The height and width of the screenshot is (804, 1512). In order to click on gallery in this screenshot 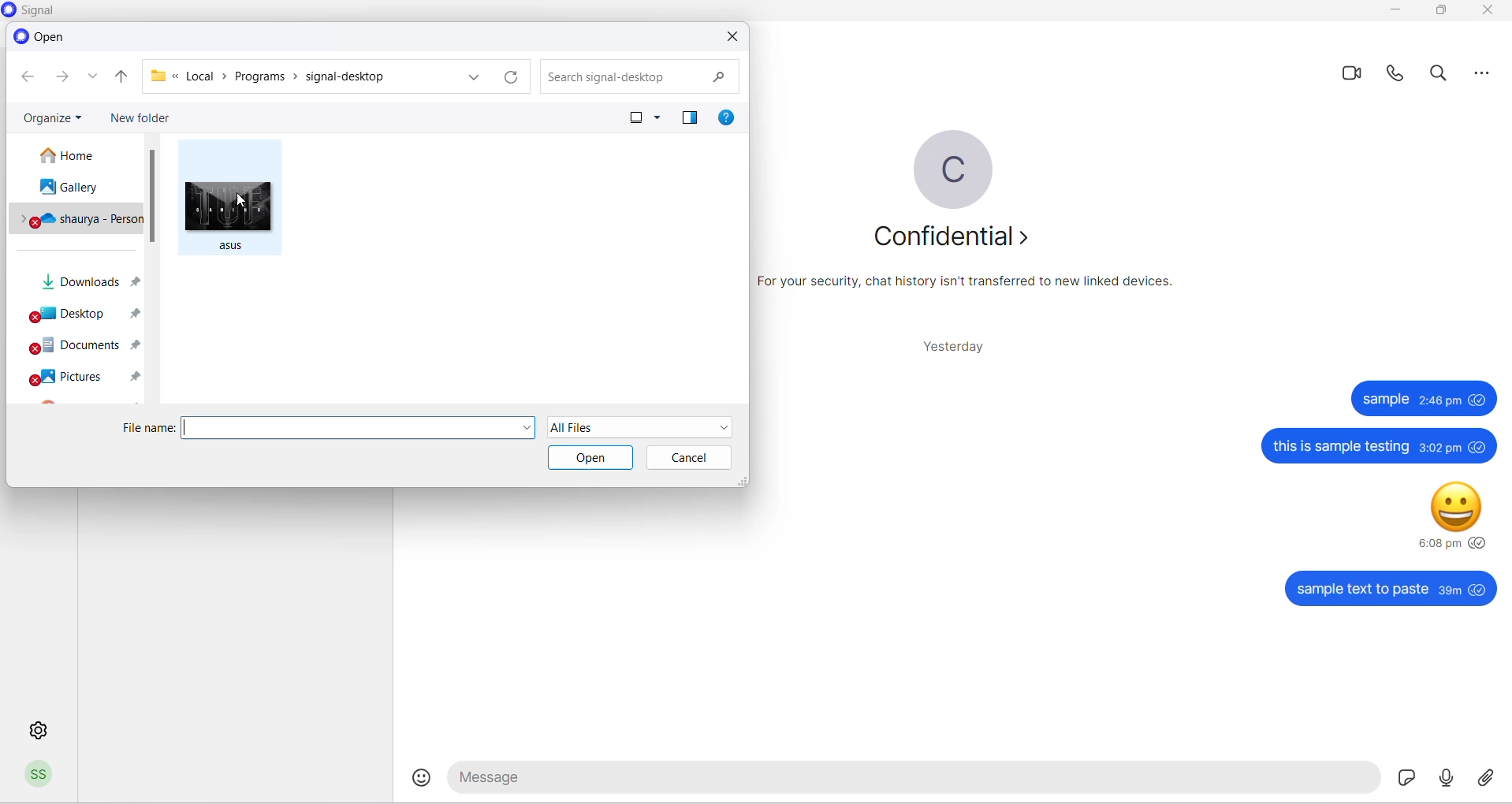, I will do `click(74, 189)`.